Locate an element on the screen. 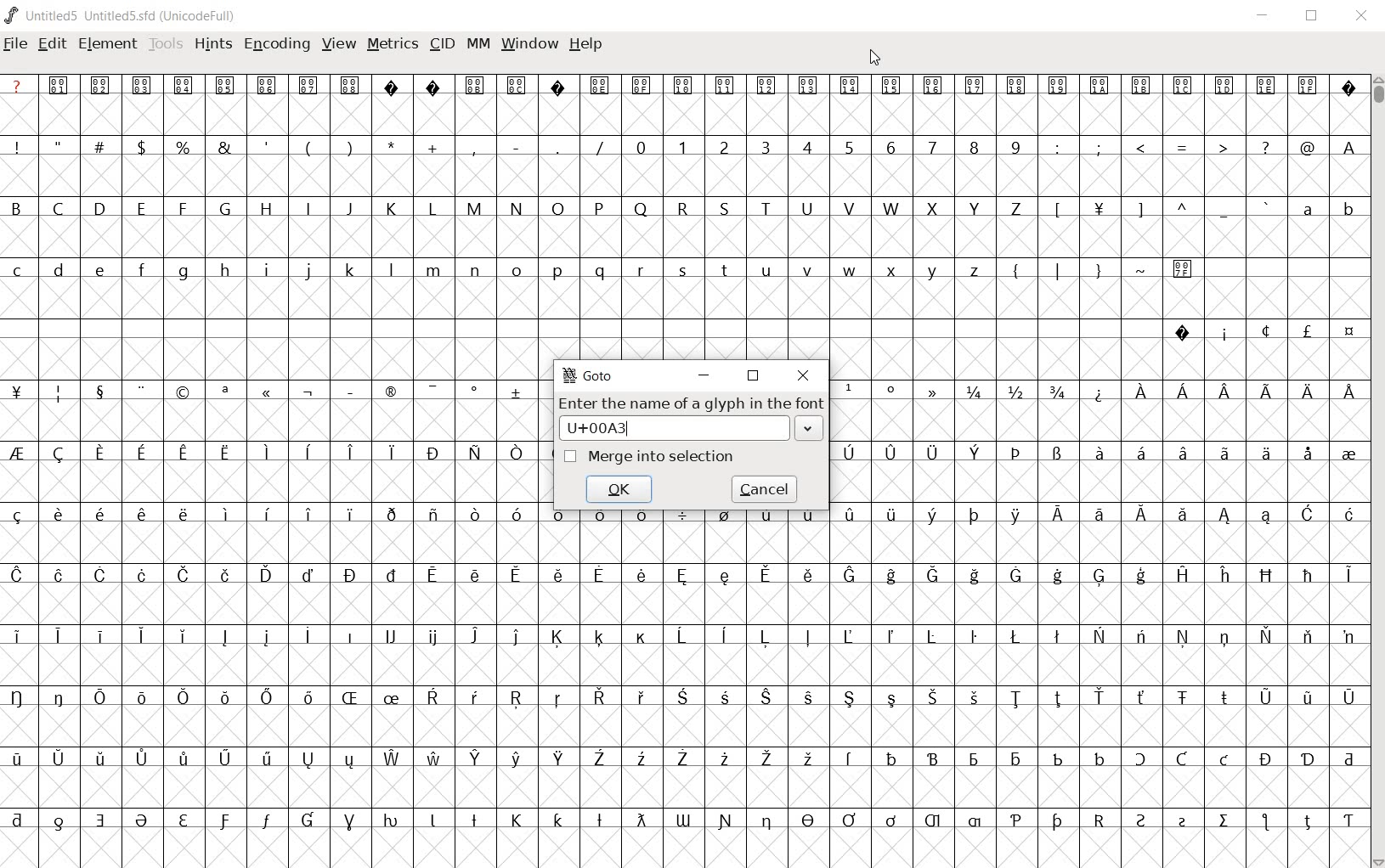  Symbol is located at coordinates (640, 758).